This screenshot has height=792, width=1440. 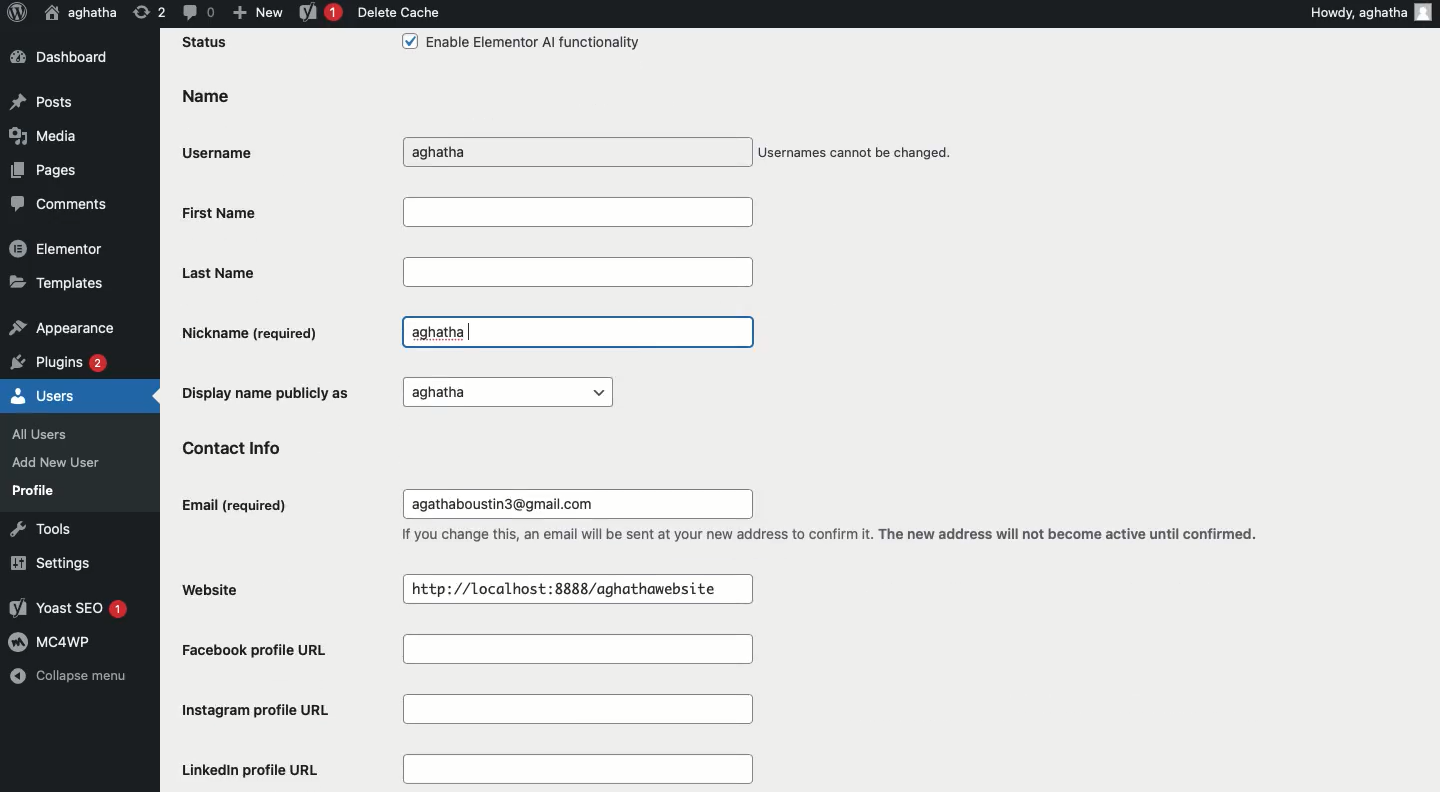 I want to click on Contact info, so click(x=244, y=446).